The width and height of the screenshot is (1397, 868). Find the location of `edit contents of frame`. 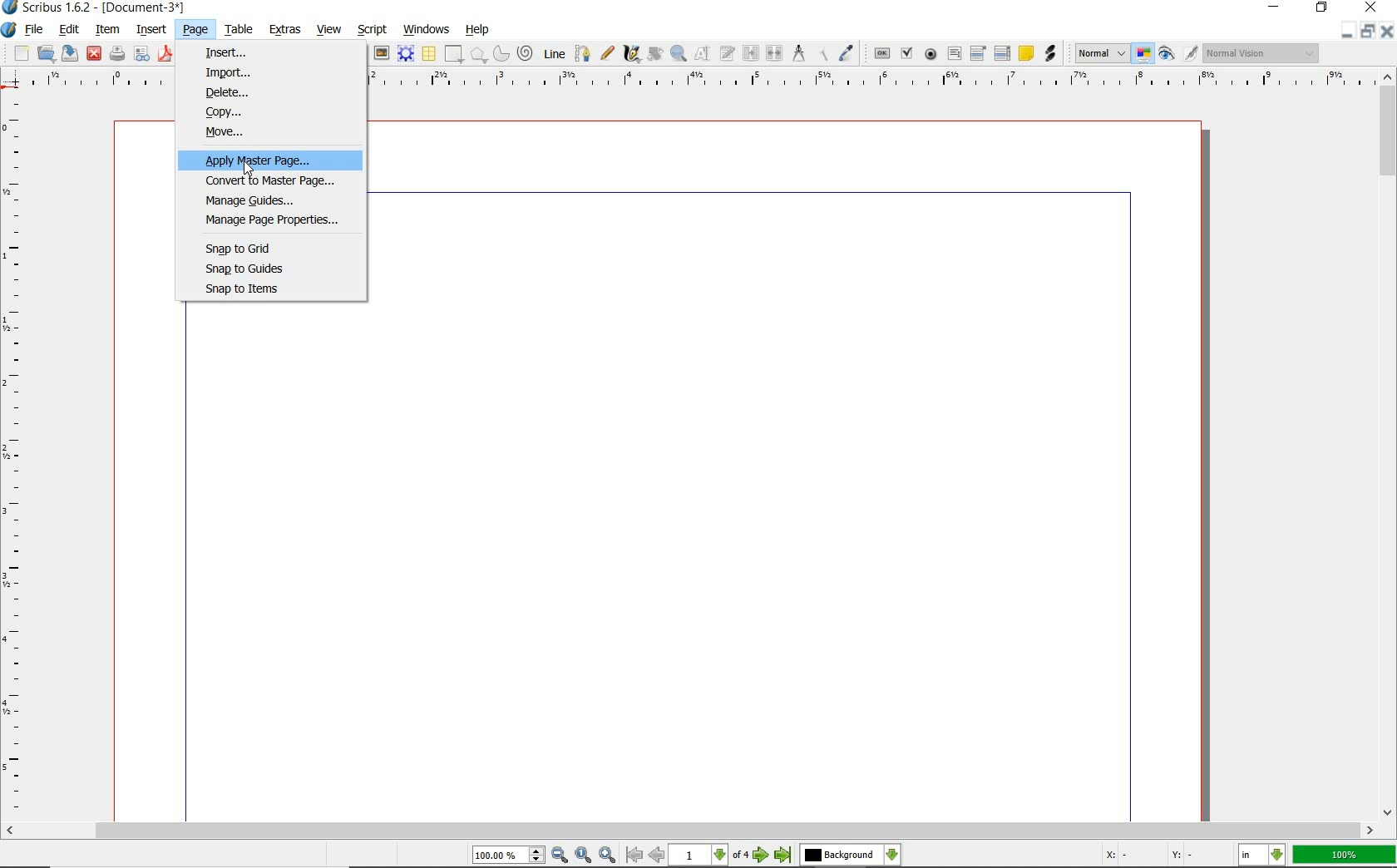

edit contents of frame is located at coordinates (700, 54).